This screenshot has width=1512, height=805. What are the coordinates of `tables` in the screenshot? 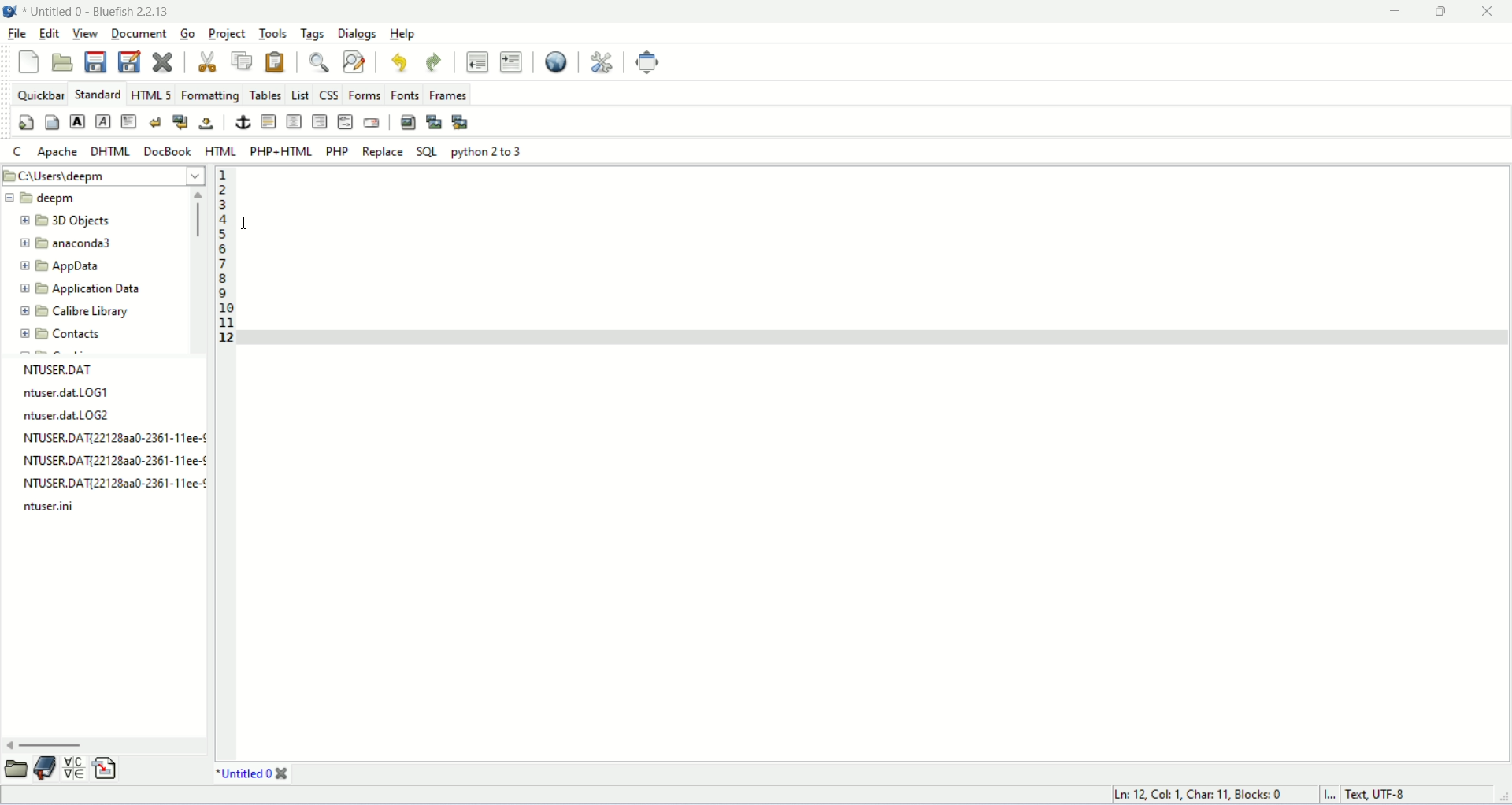 It's located at (269, 96).